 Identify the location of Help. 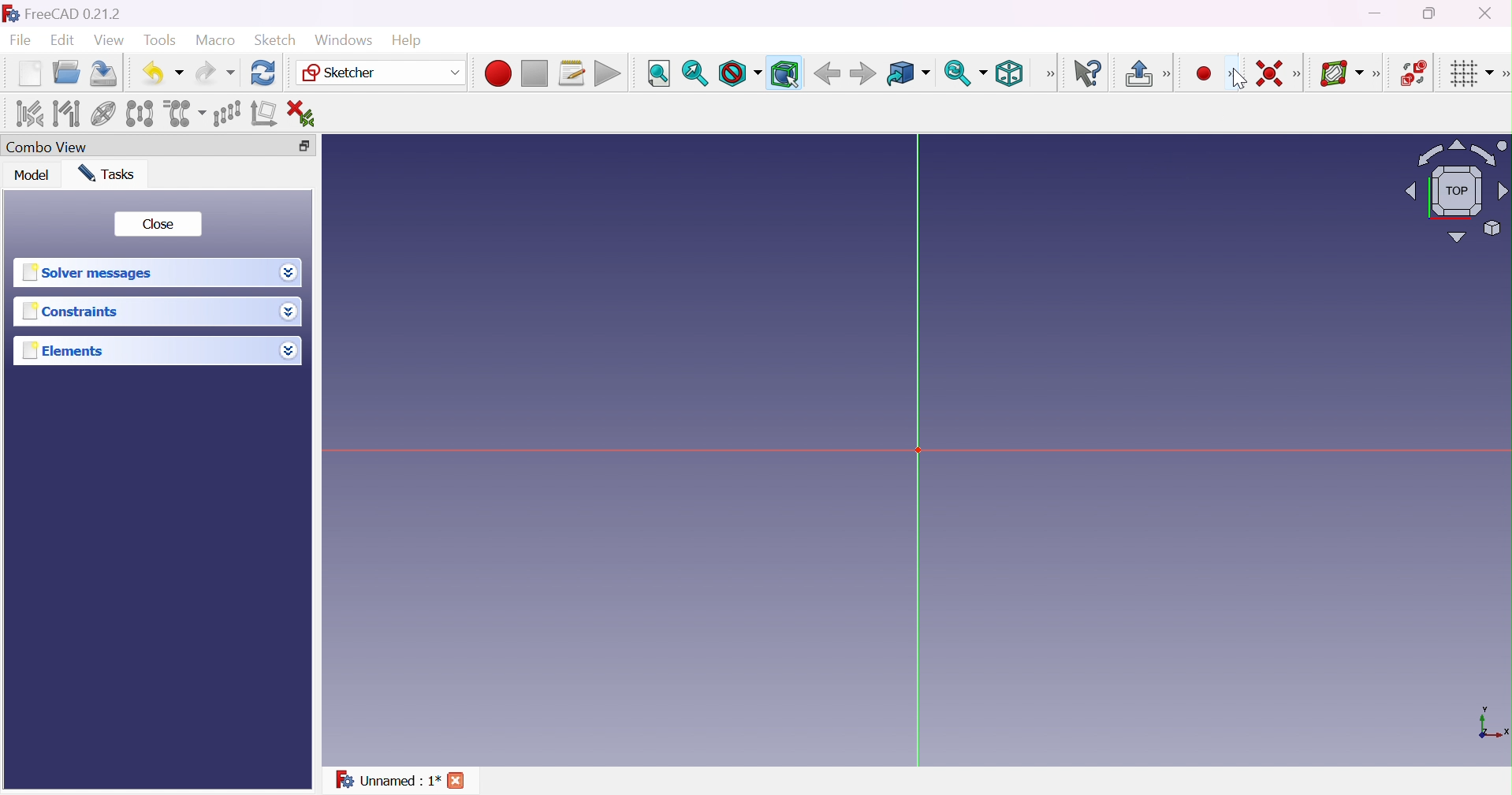
(406, 39).